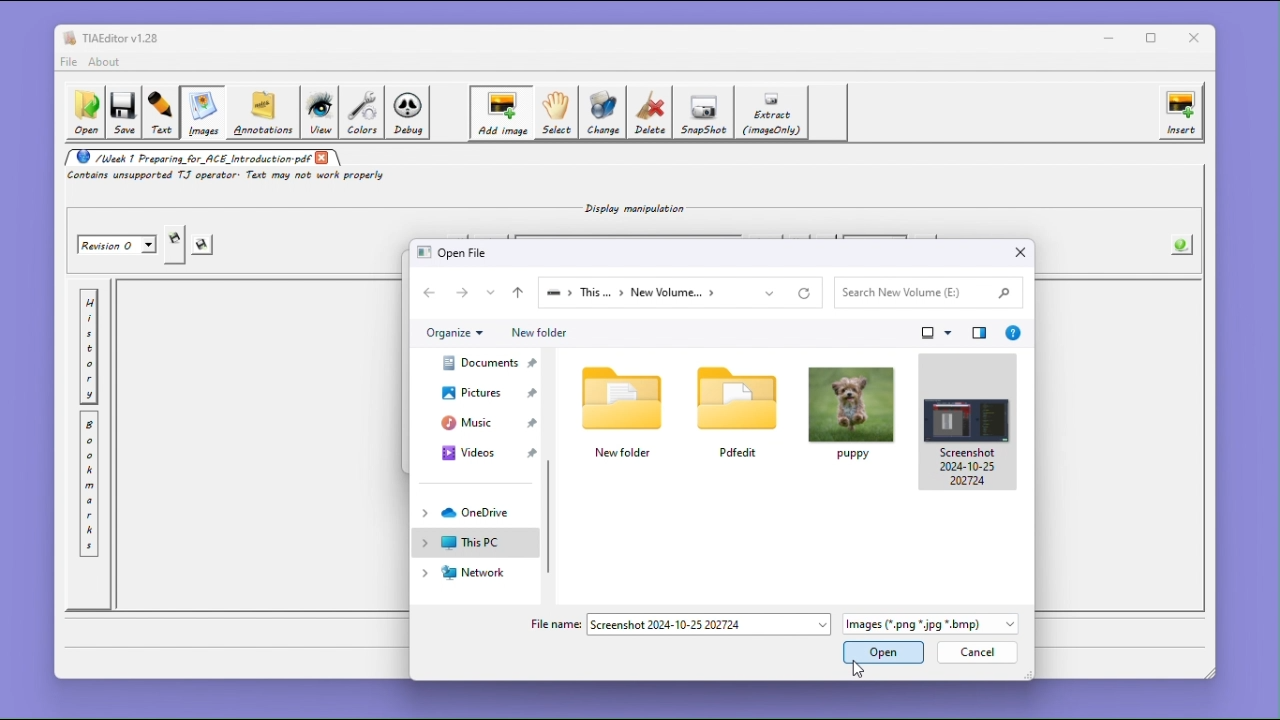 This screenshot has height=720, width=1280. Describe the element at coordinates (480, 392) in the screenshot. I see `pictures` at that location.